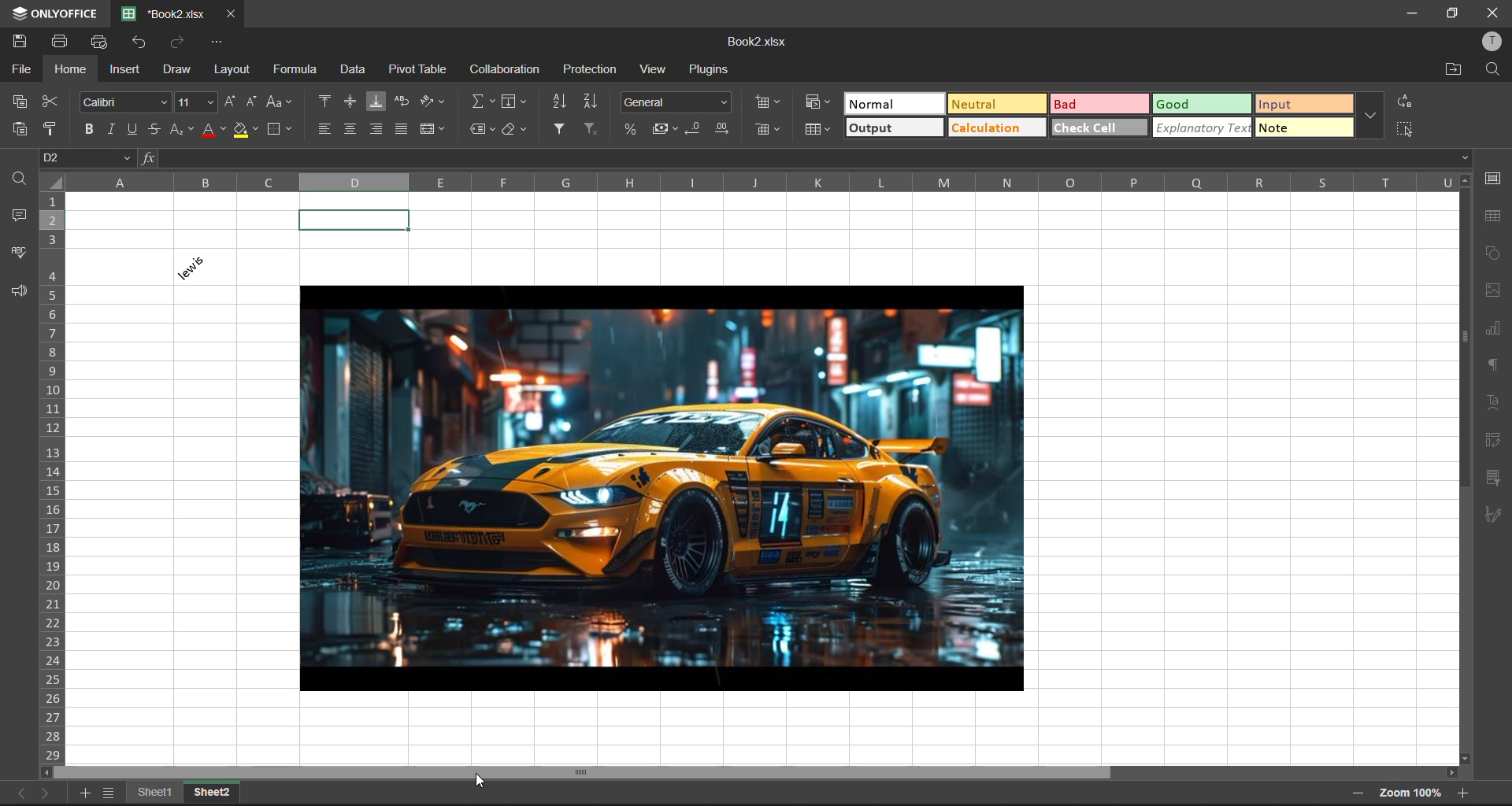  What do you see at coordinates (1494, 179) in the screenshot?
I see `cell settings` at bounding box center [1494, 179].